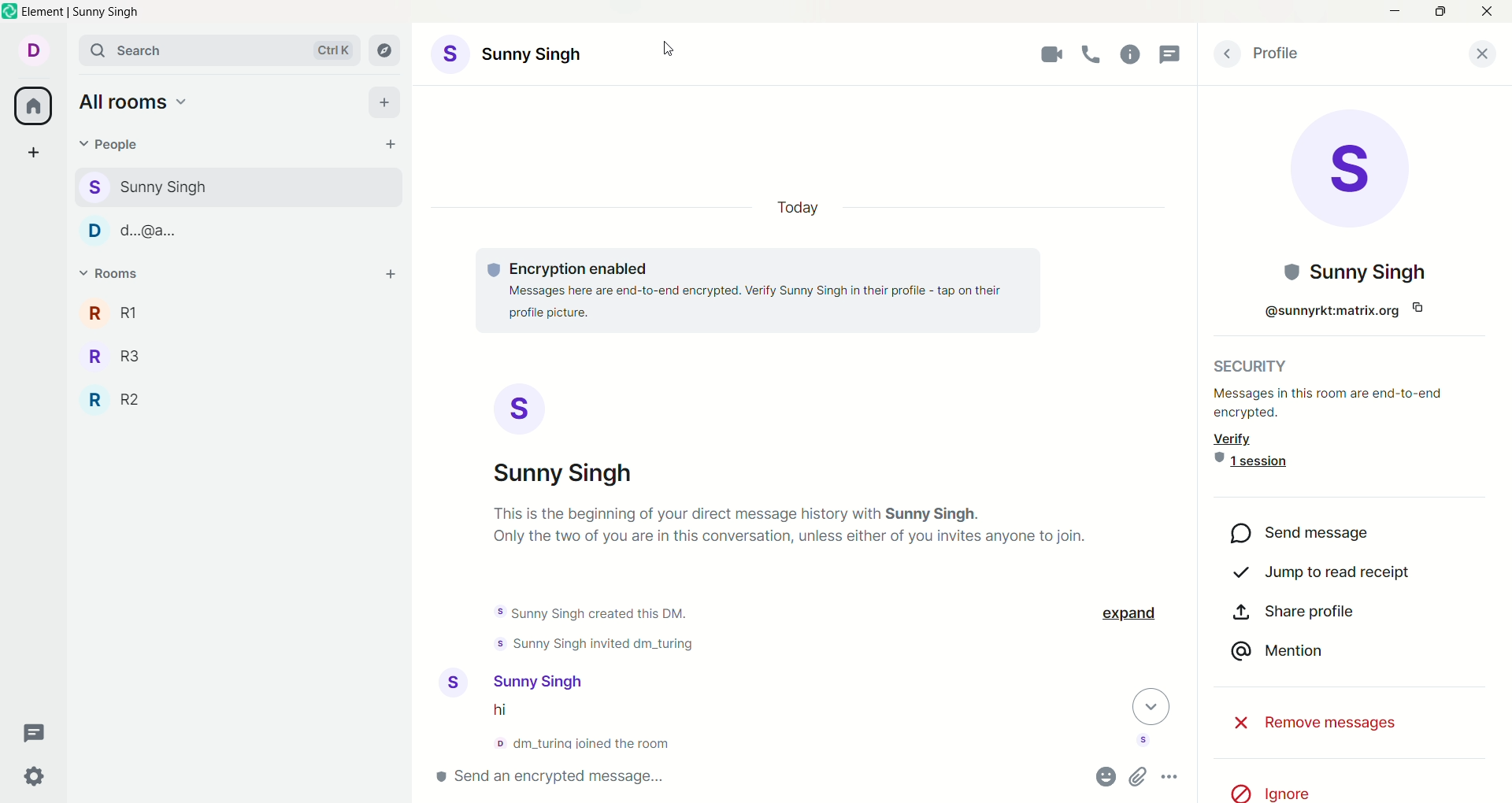  Describe the element at coordinates (1293, 612) in the screenshot. I see `share profile` at that location.